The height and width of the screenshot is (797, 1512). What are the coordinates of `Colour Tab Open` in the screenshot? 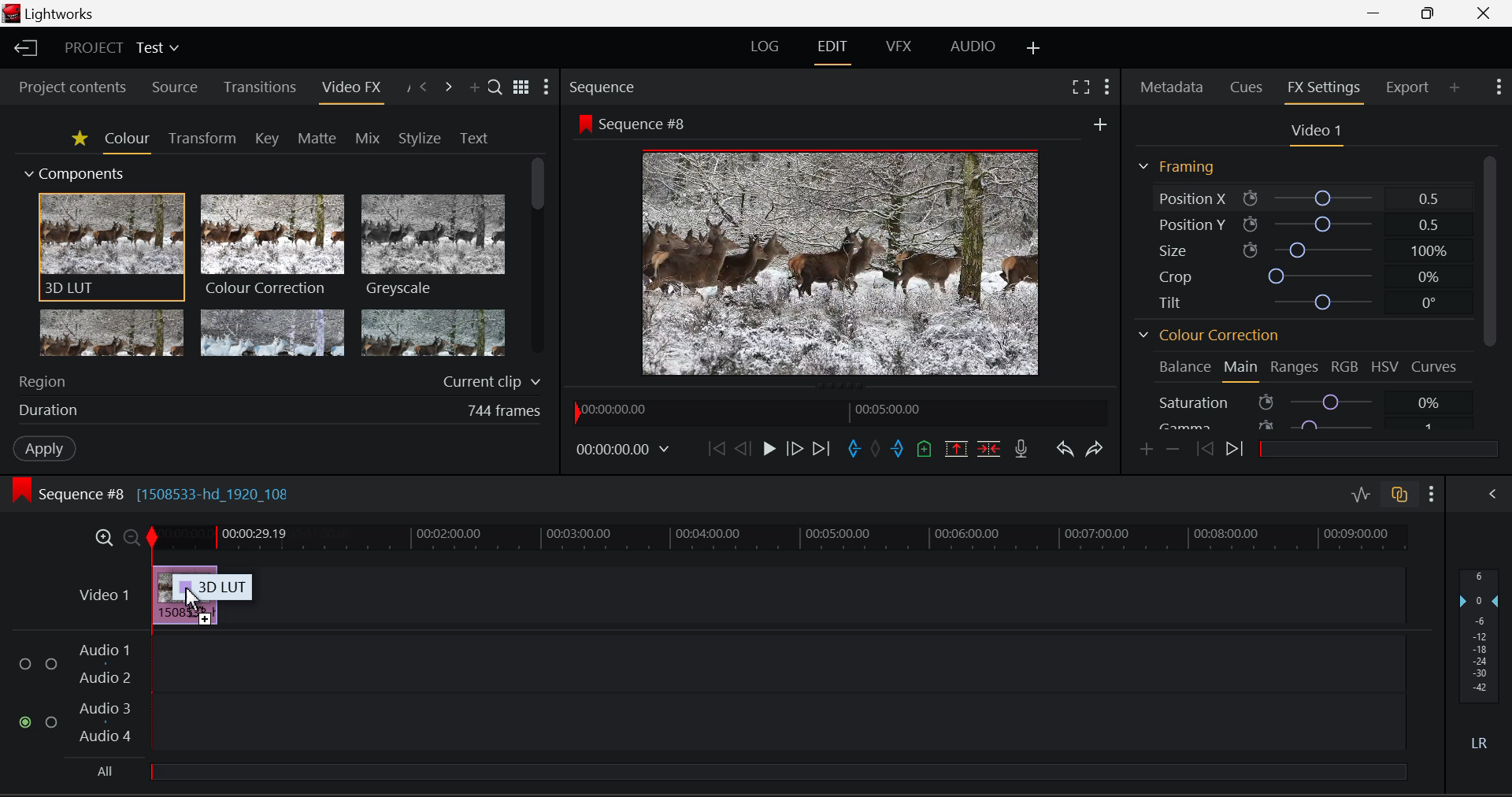 It's located at (127, 143).